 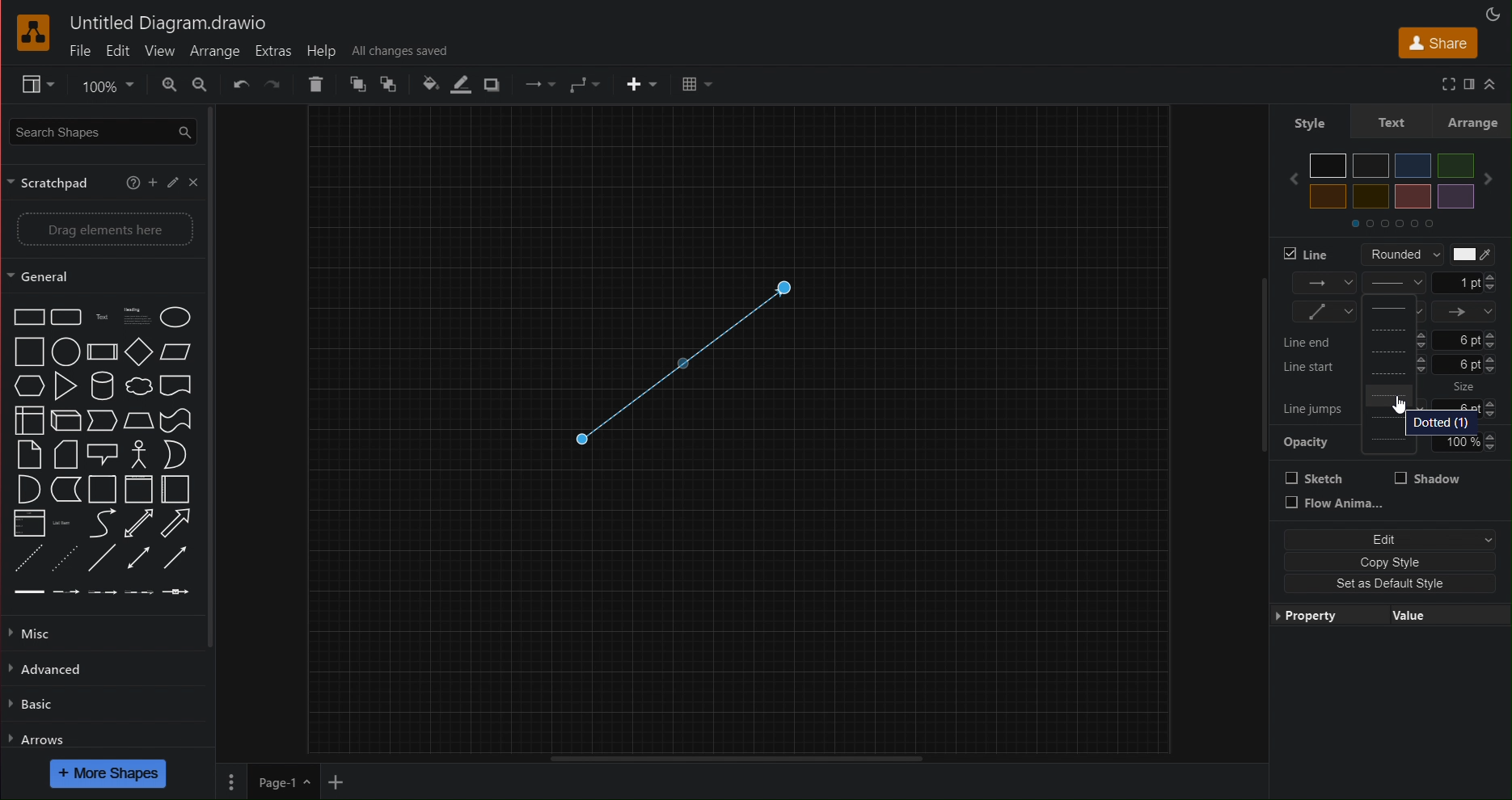 What do you see at coordinates (153, 181) in the screenshot?
I see `Add` at bounding box center [153, 181].